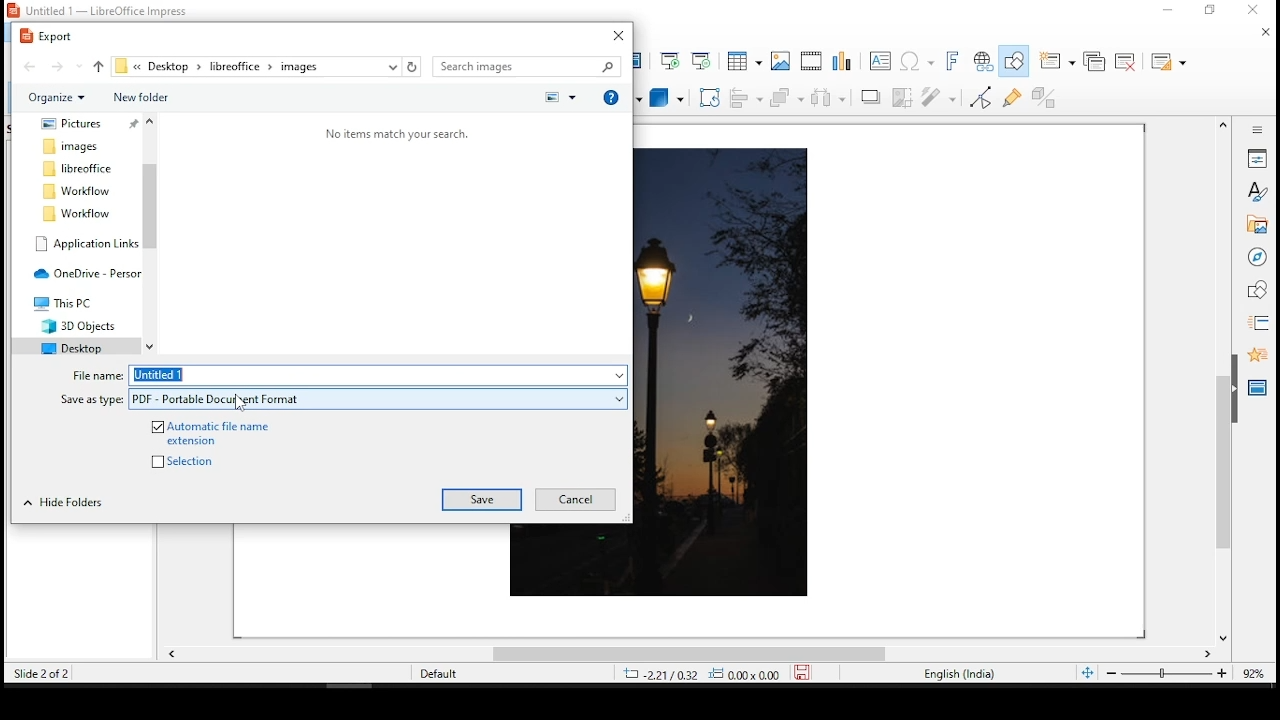  I want to click on folder, so click(70, 346).